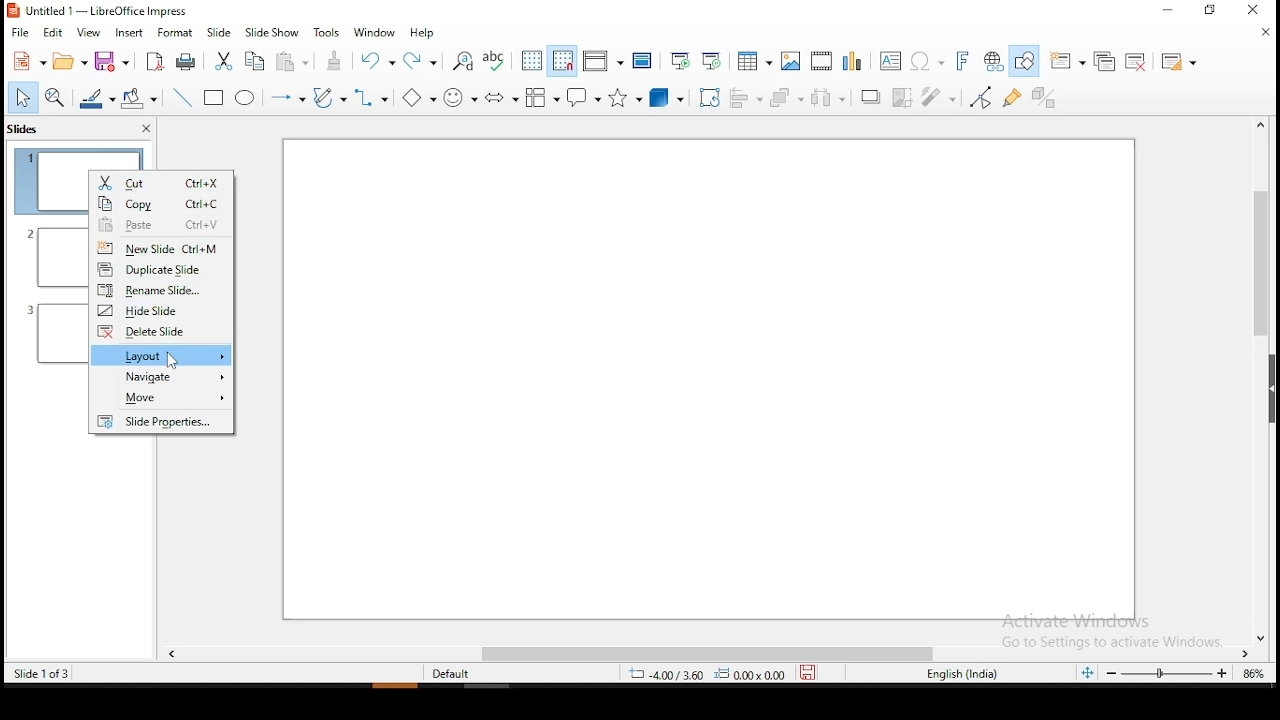  What do you see at coordinates (140, 97) in the screenshot?
I see `paint bucket tool` at bounding box center [140, 97].